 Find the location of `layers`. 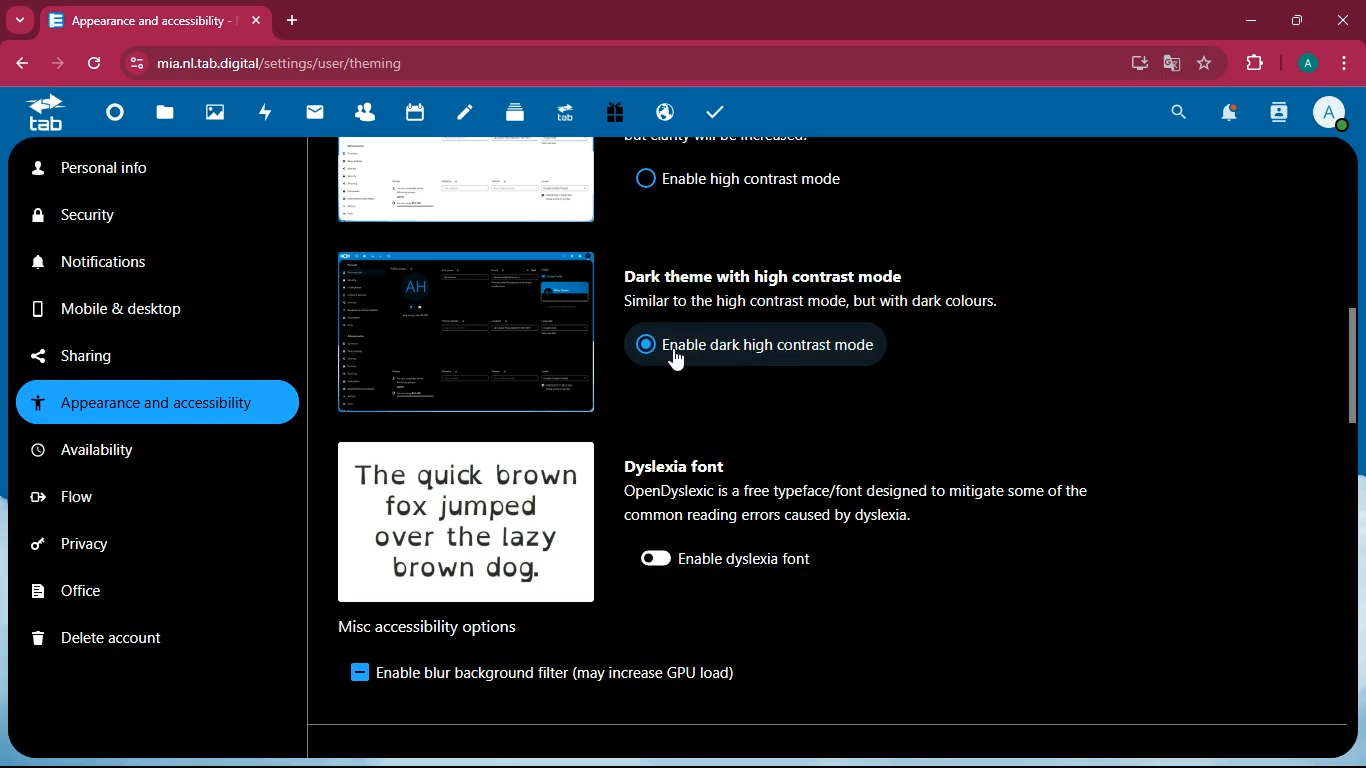

layers is located at coordinates (522, 116).